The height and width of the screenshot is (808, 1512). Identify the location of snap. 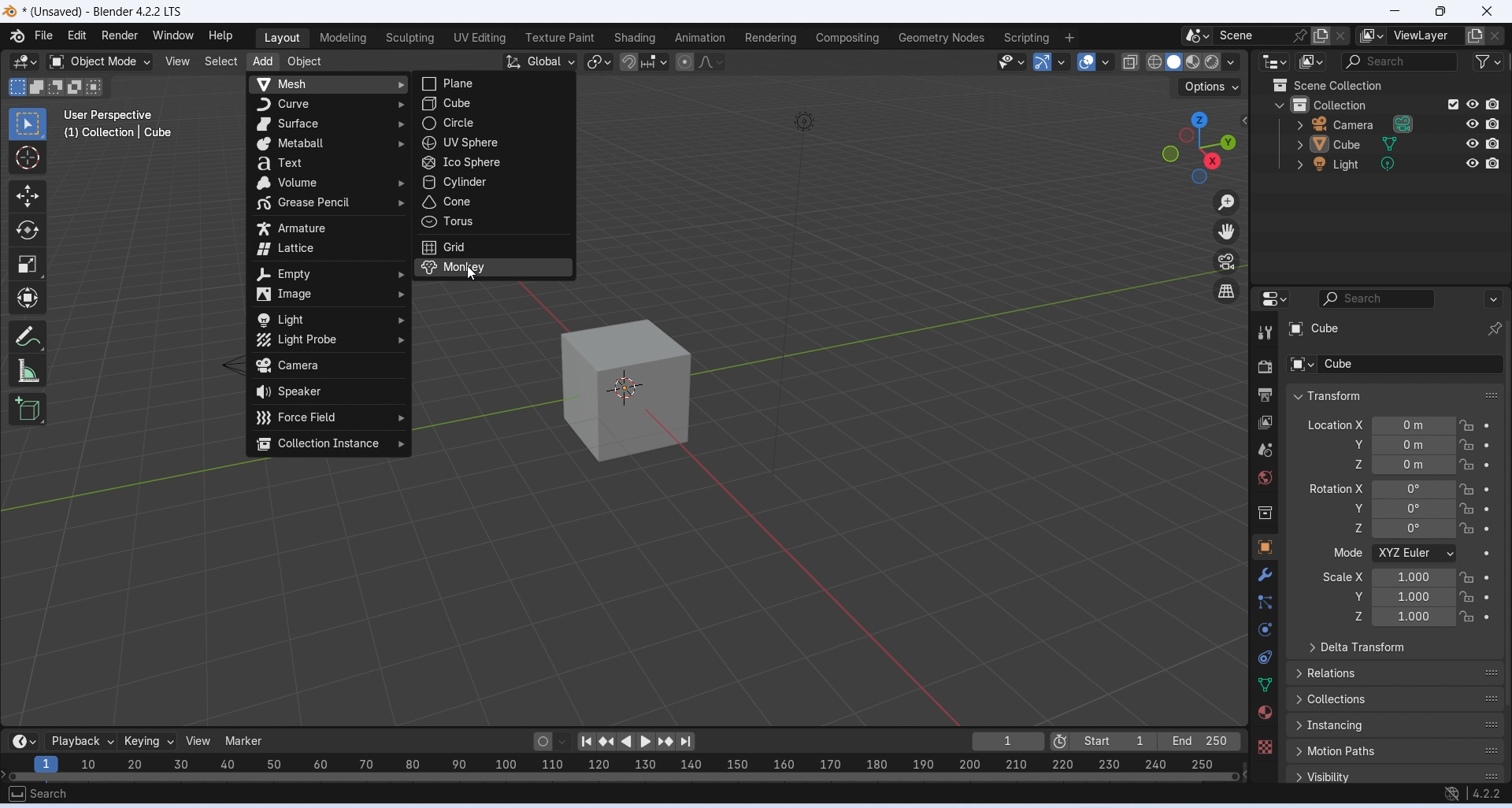
(628, 63).